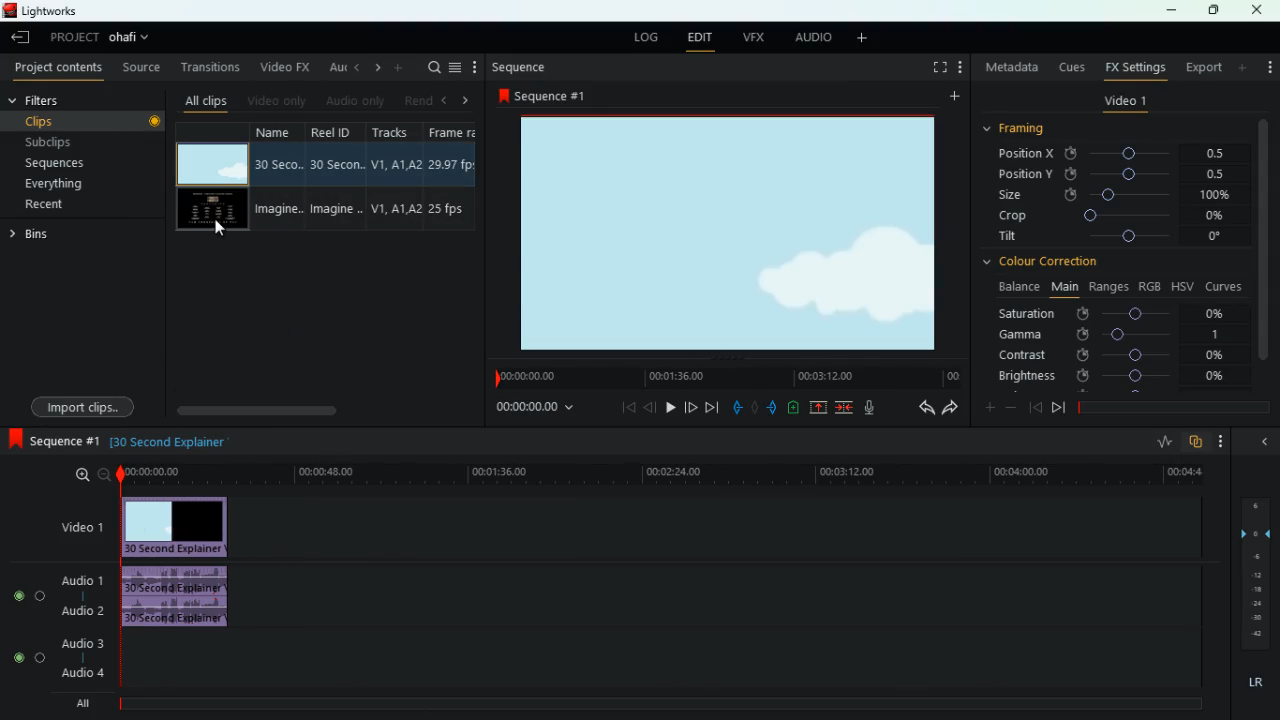 Image resolution: width=1280 pixels, height=720 pixels. I want to click on pull, so click(737, 408).